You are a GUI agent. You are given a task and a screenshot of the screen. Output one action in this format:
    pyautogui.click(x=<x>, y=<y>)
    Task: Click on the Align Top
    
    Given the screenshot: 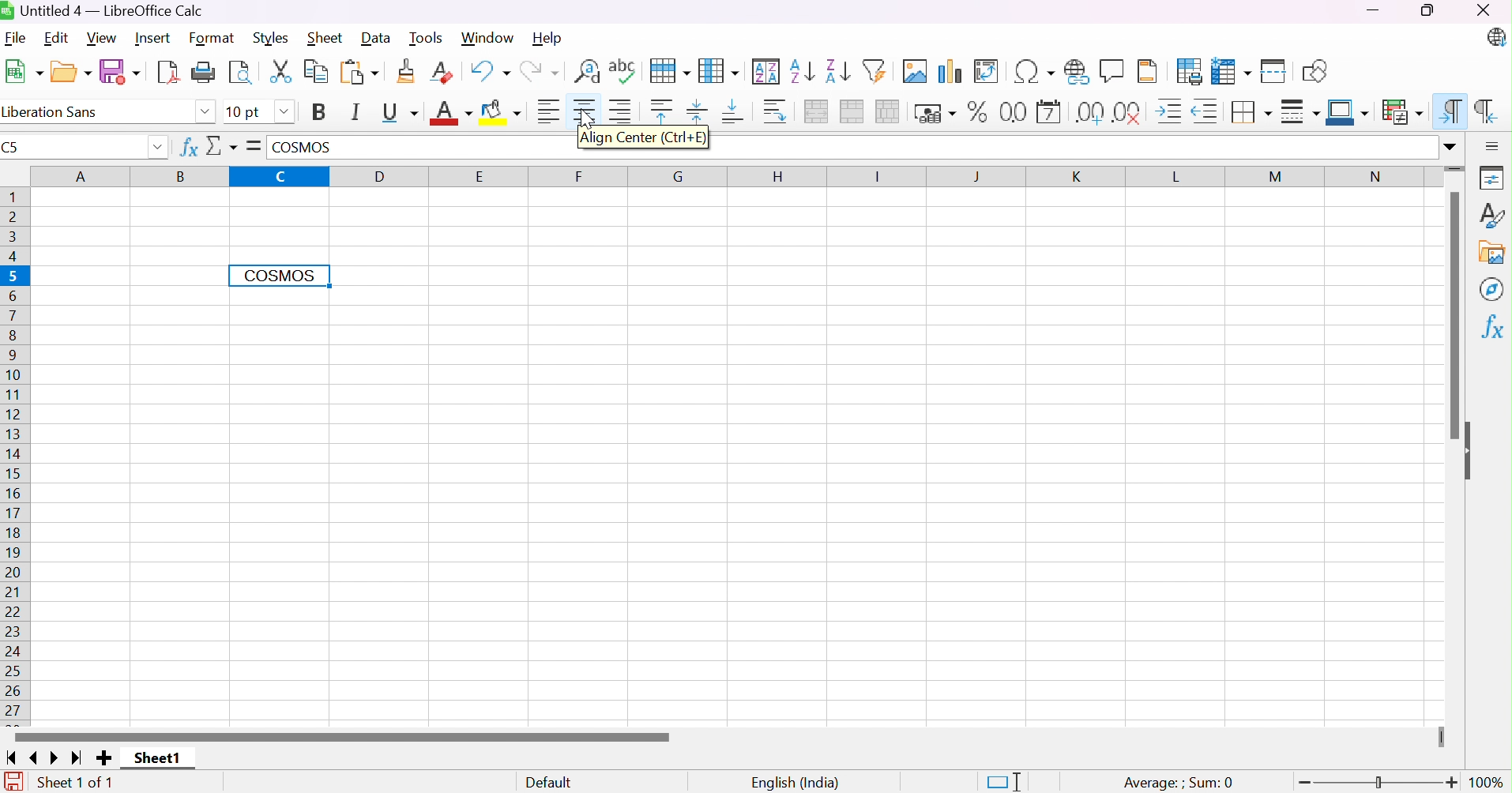 What is the action you would take?
    pyautogui.click(x=663, y=109)
    